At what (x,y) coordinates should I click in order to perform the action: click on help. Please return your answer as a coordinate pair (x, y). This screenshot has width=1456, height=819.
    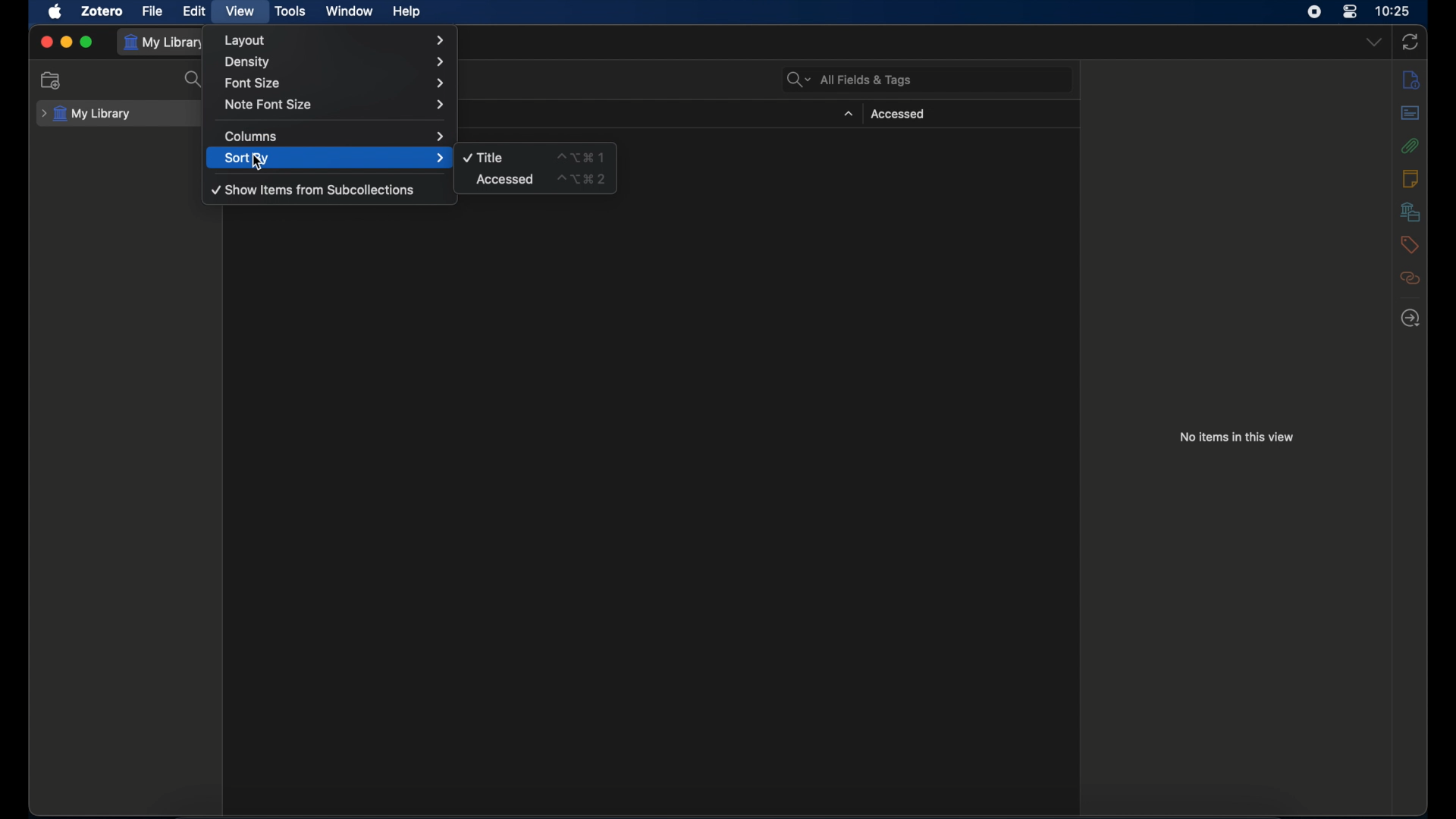
    Looking at the image, I should click on (406, 12).